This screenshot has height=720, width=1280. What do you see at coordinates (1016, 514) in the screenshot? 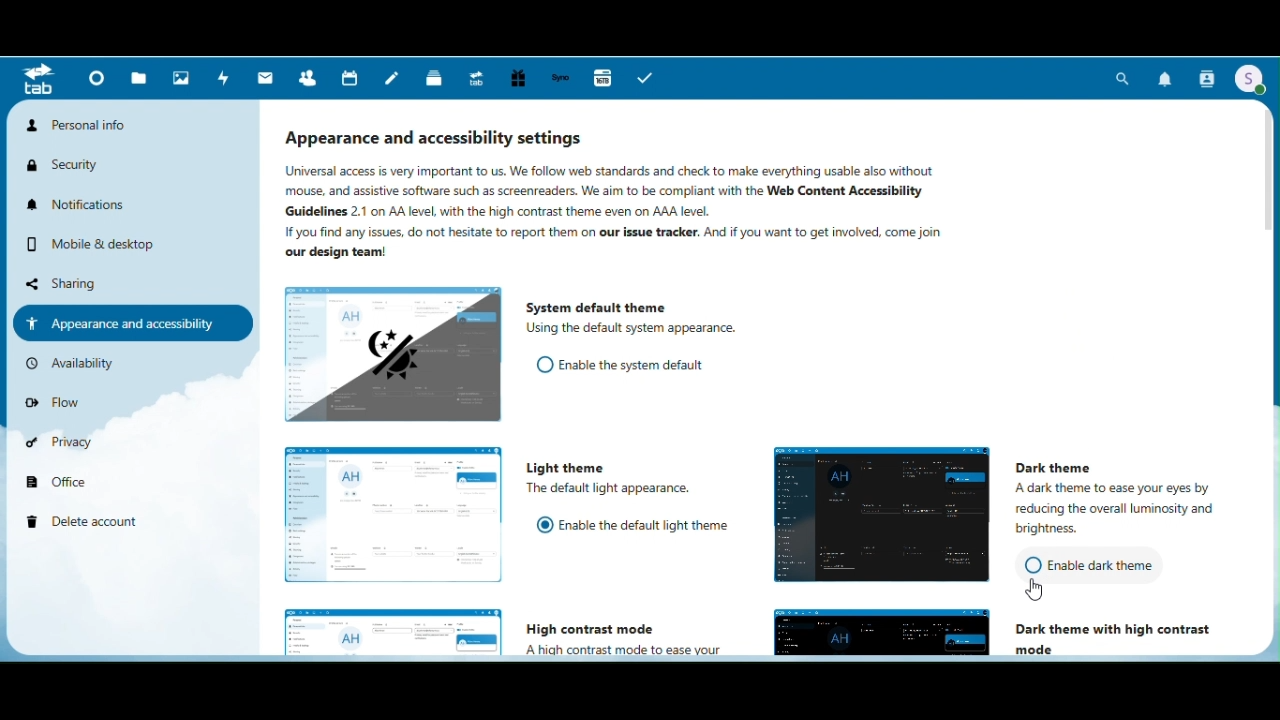
I see `dark theme` at bounding box center [1016, 514].